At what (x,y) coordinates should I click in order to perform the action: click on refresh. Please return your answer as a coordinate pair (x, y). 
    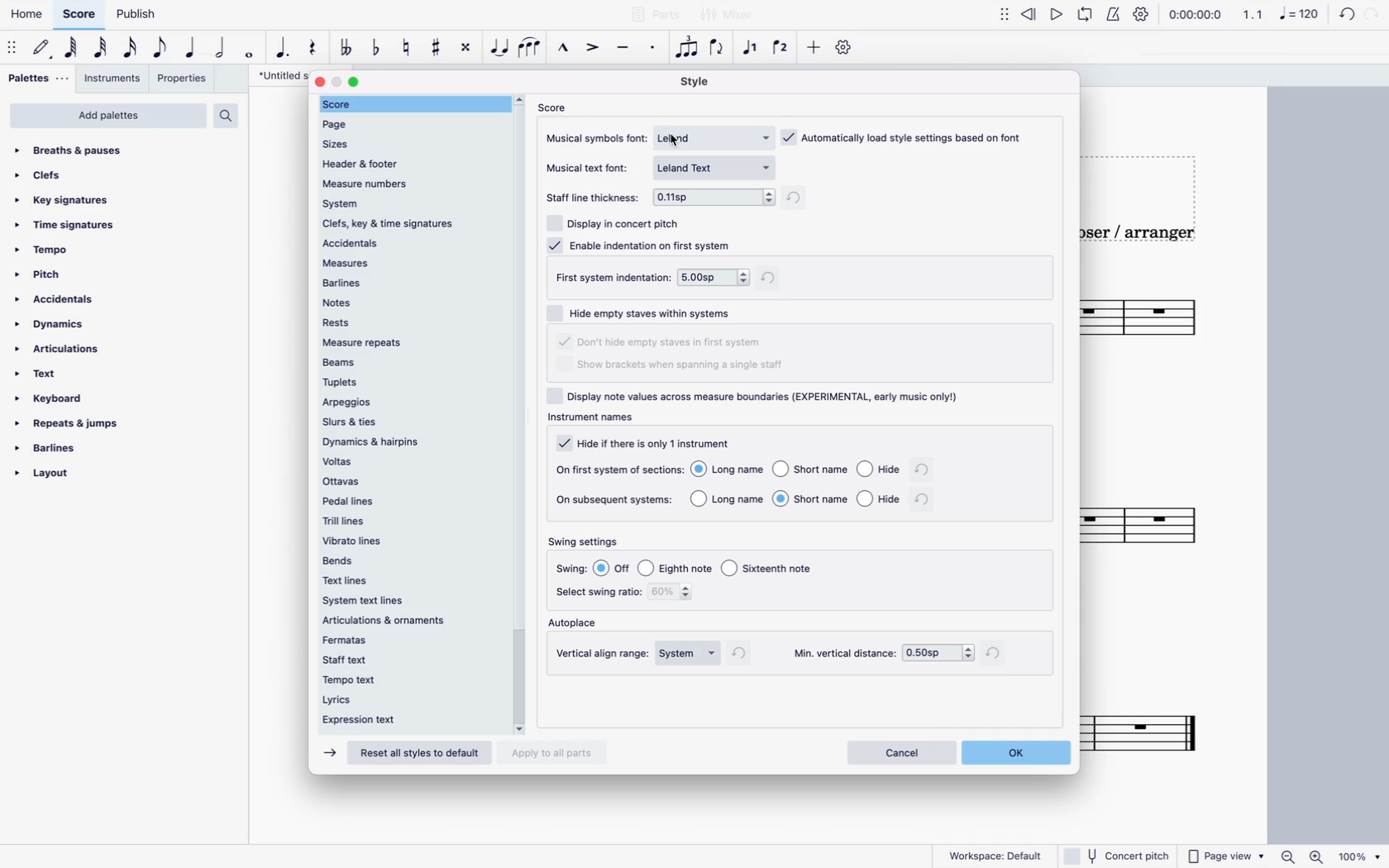
    Looking at the image, I should click on (923, 471).